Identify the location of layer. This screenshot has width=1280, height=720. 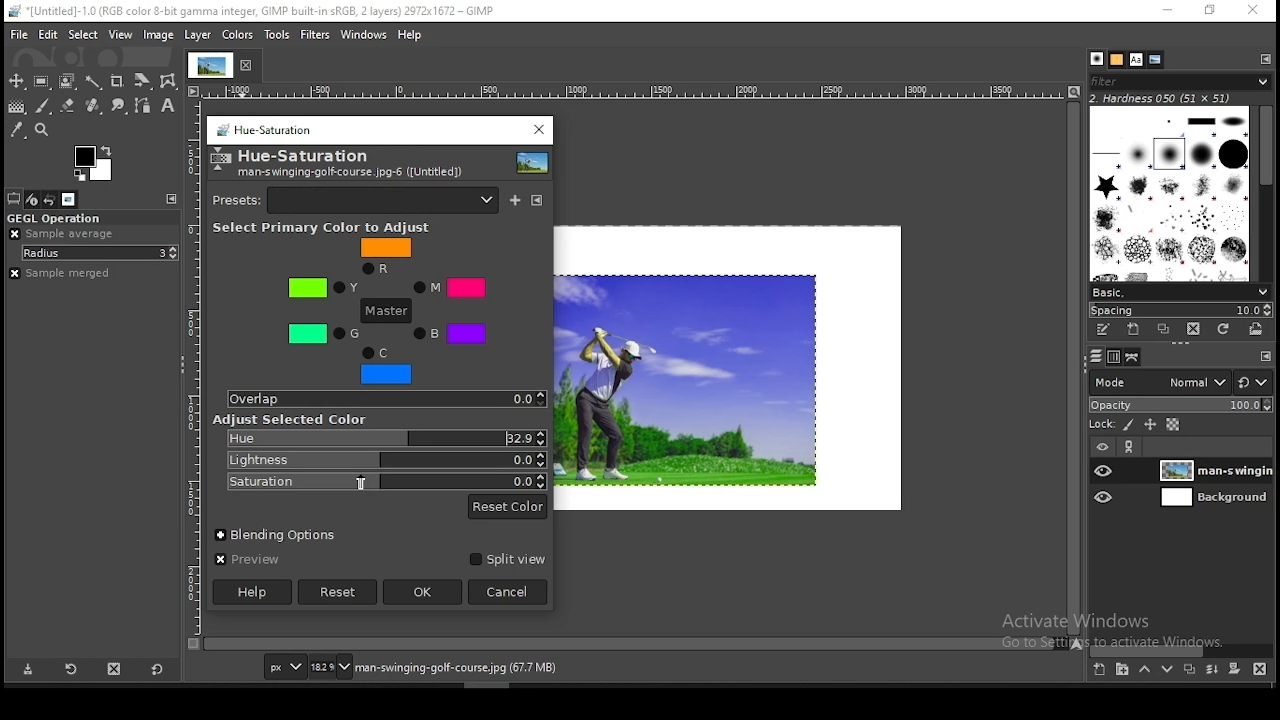
(1216, 500).